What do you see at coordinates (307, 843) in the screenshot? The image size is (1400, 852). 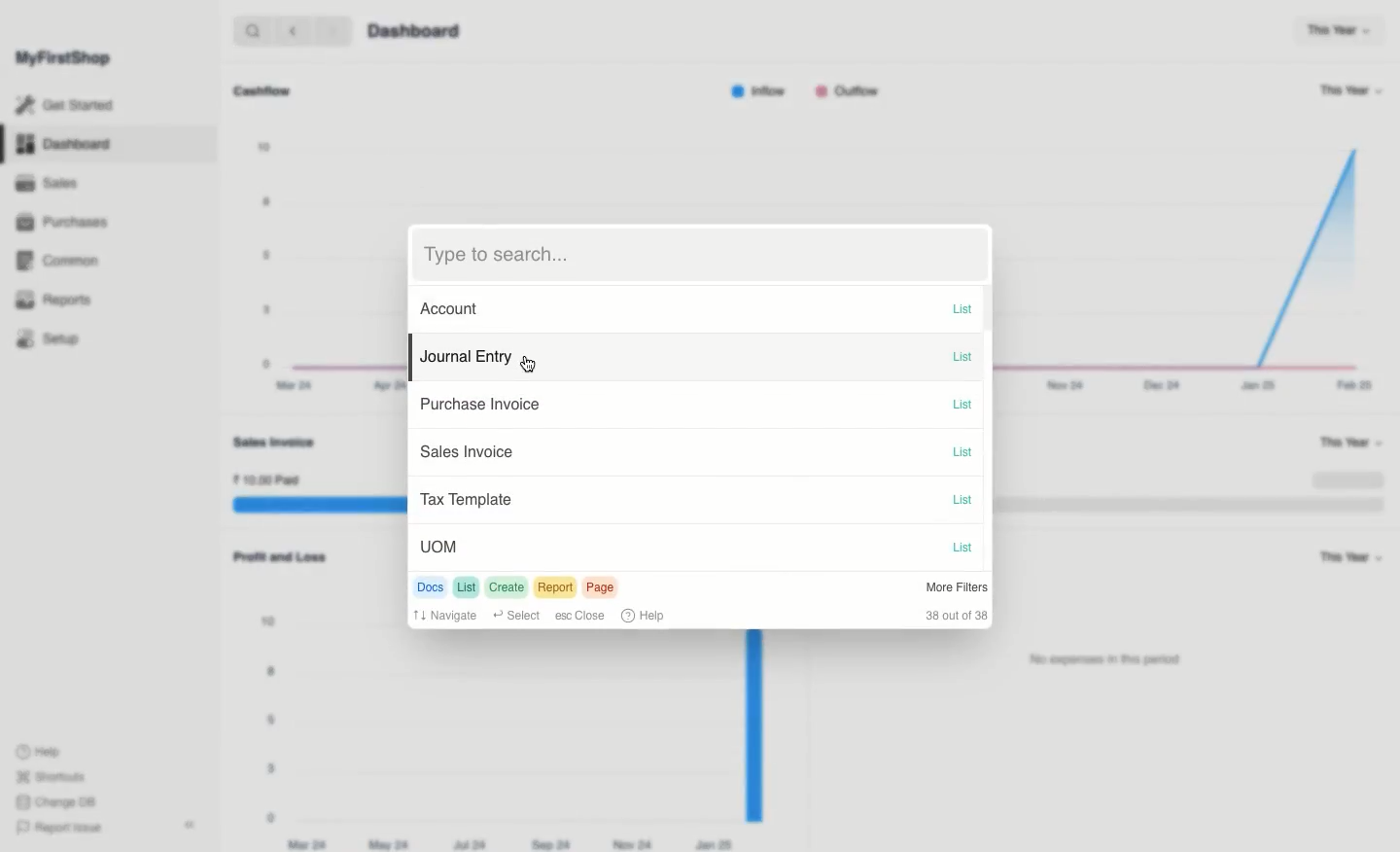 I see `Mar 24` at bounding box center [307, 843].